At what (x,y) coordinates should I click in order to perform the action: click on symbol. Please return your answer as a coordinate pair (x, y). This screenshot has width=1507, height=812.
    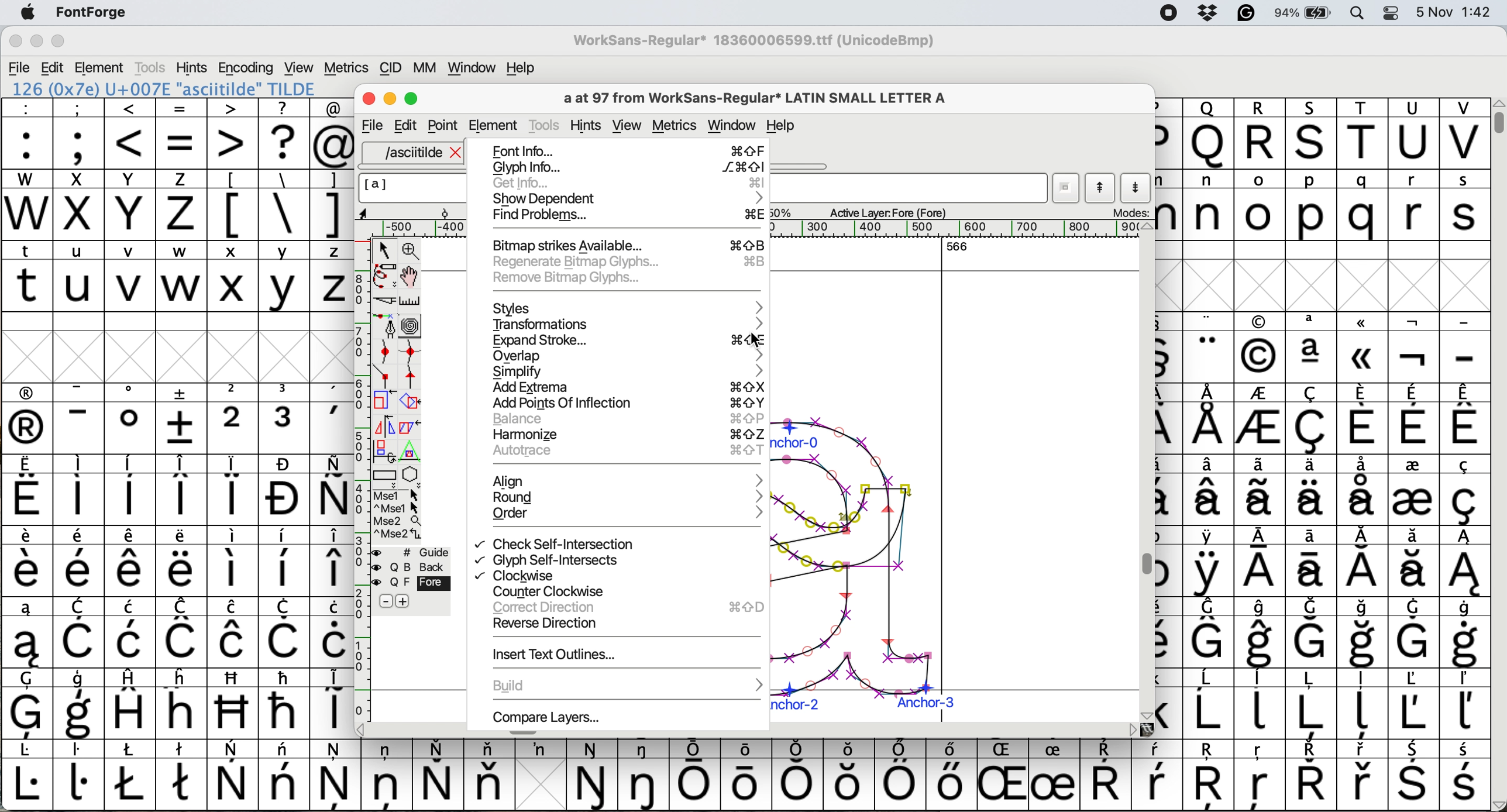
    Looking at the image, I should click on (540, 749).